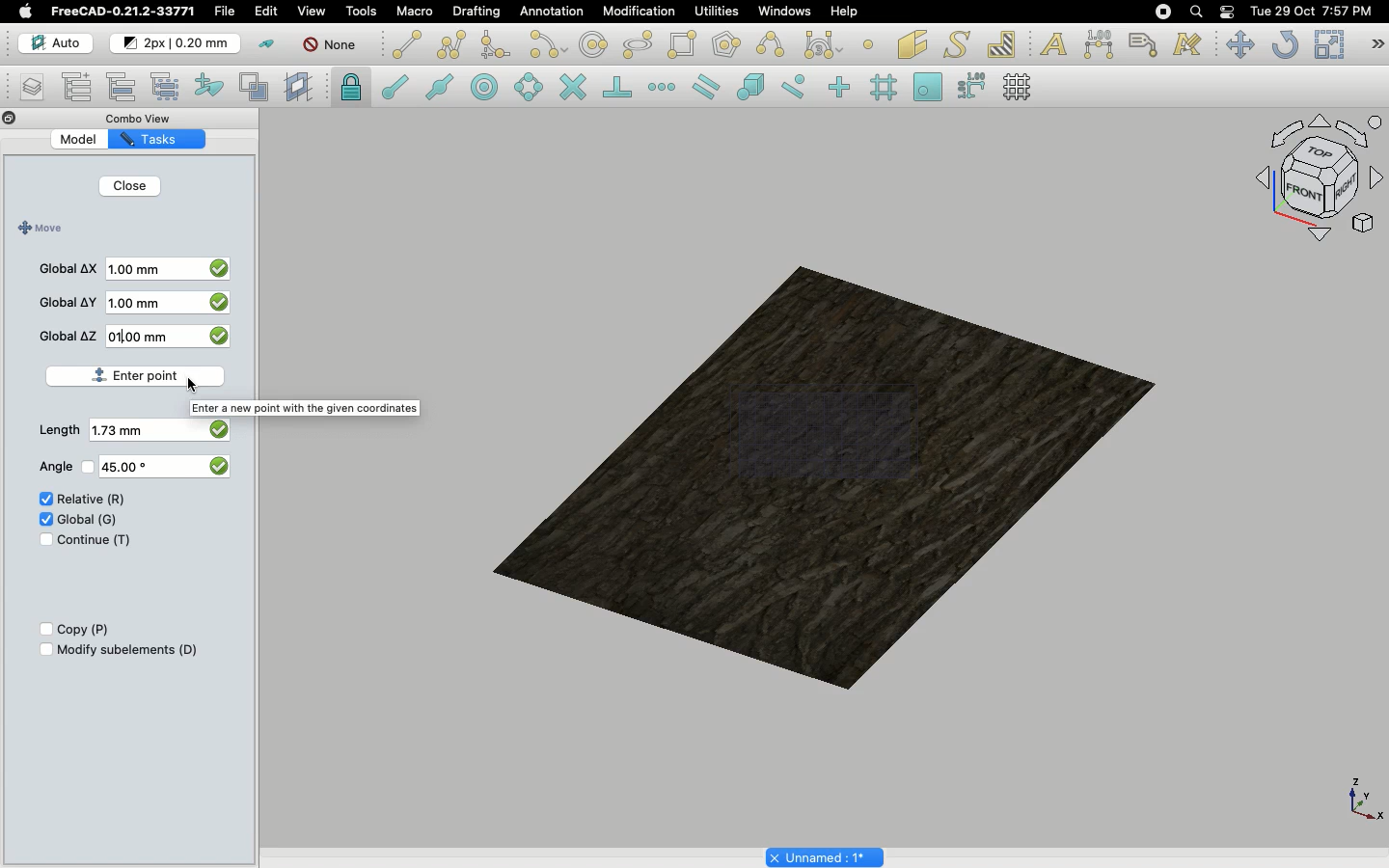 The width and height of the screenshot is (1389, 868). I want to click on checkbox, so click(221, 266).